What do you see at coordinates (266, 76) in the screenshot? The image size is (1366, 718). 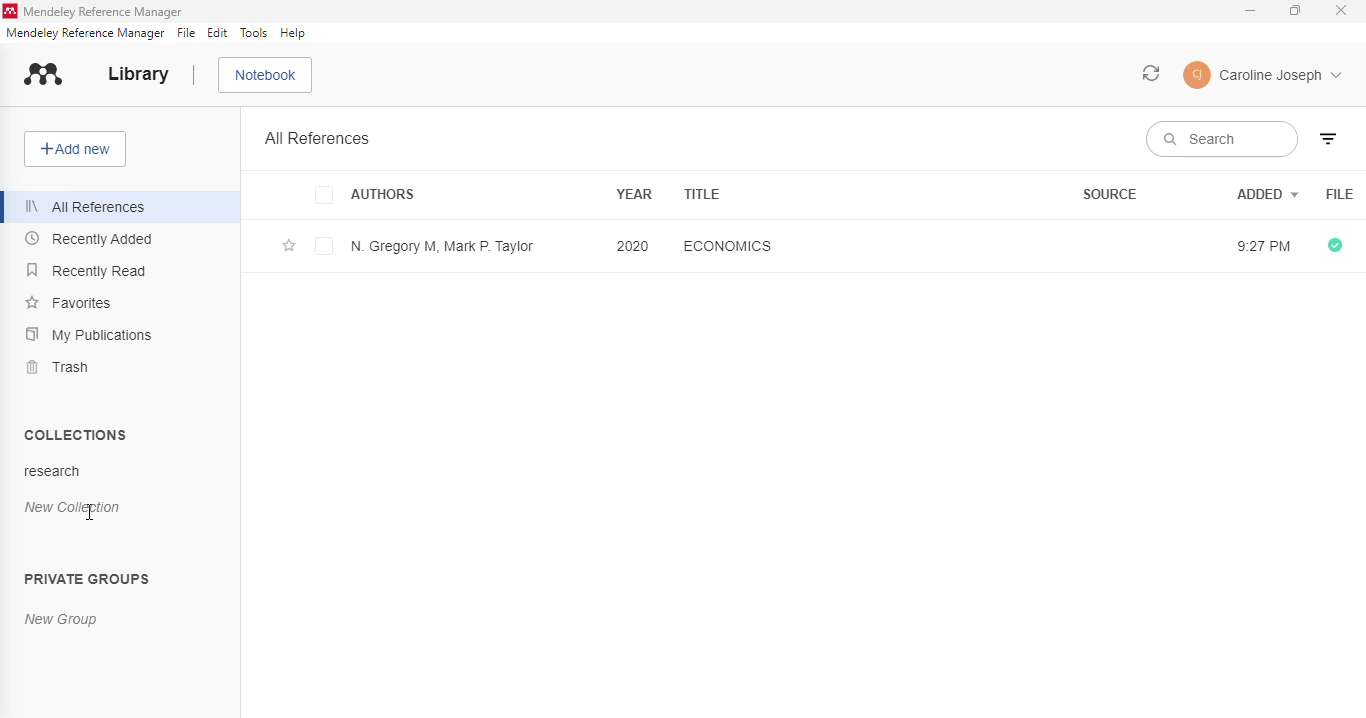 I see `notebook` at bounding box center [266, 76].